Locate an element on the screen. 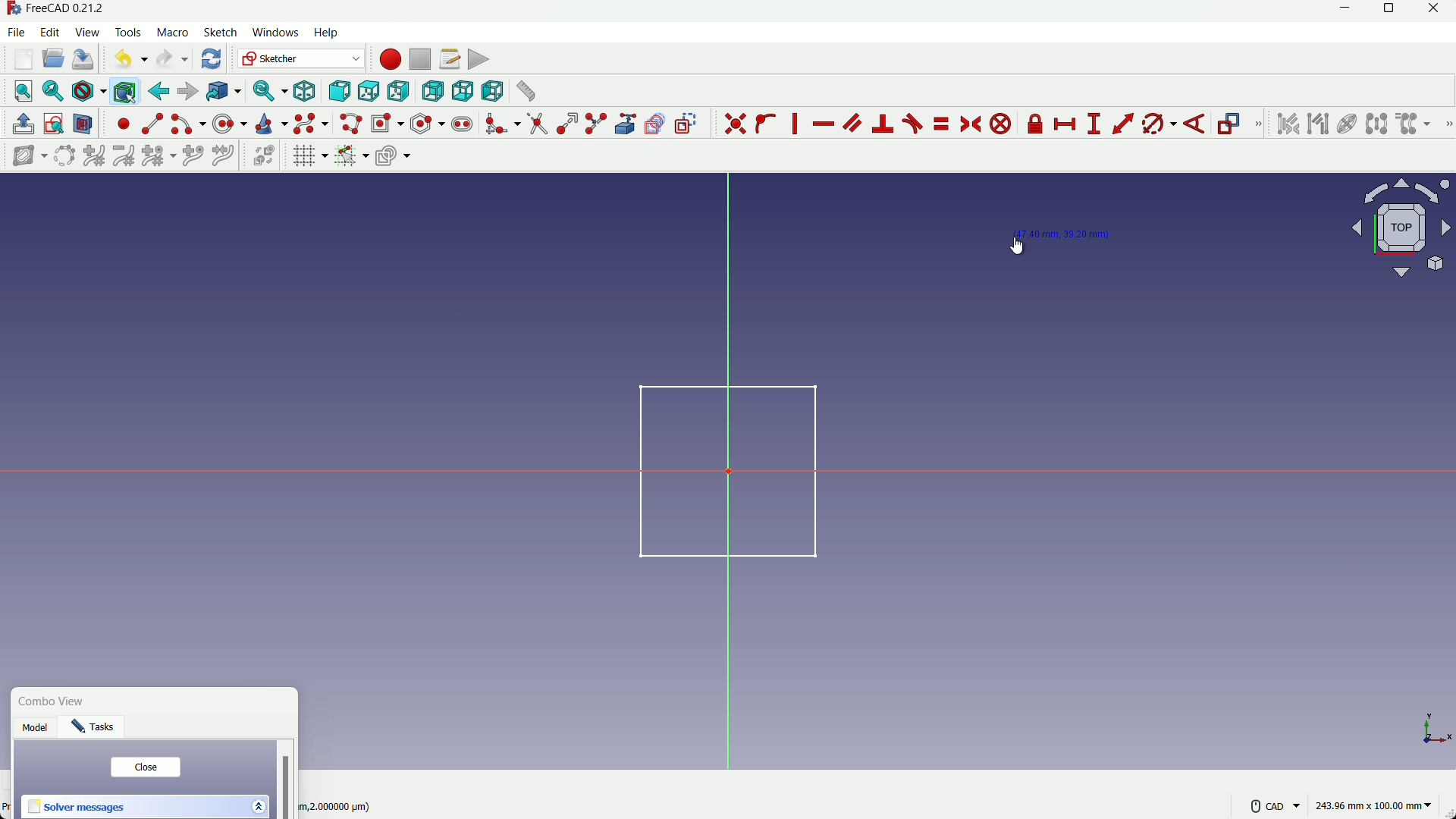 The height and width of the screenshot is (819, 1456). file menu is located at coordinates (18, 32).